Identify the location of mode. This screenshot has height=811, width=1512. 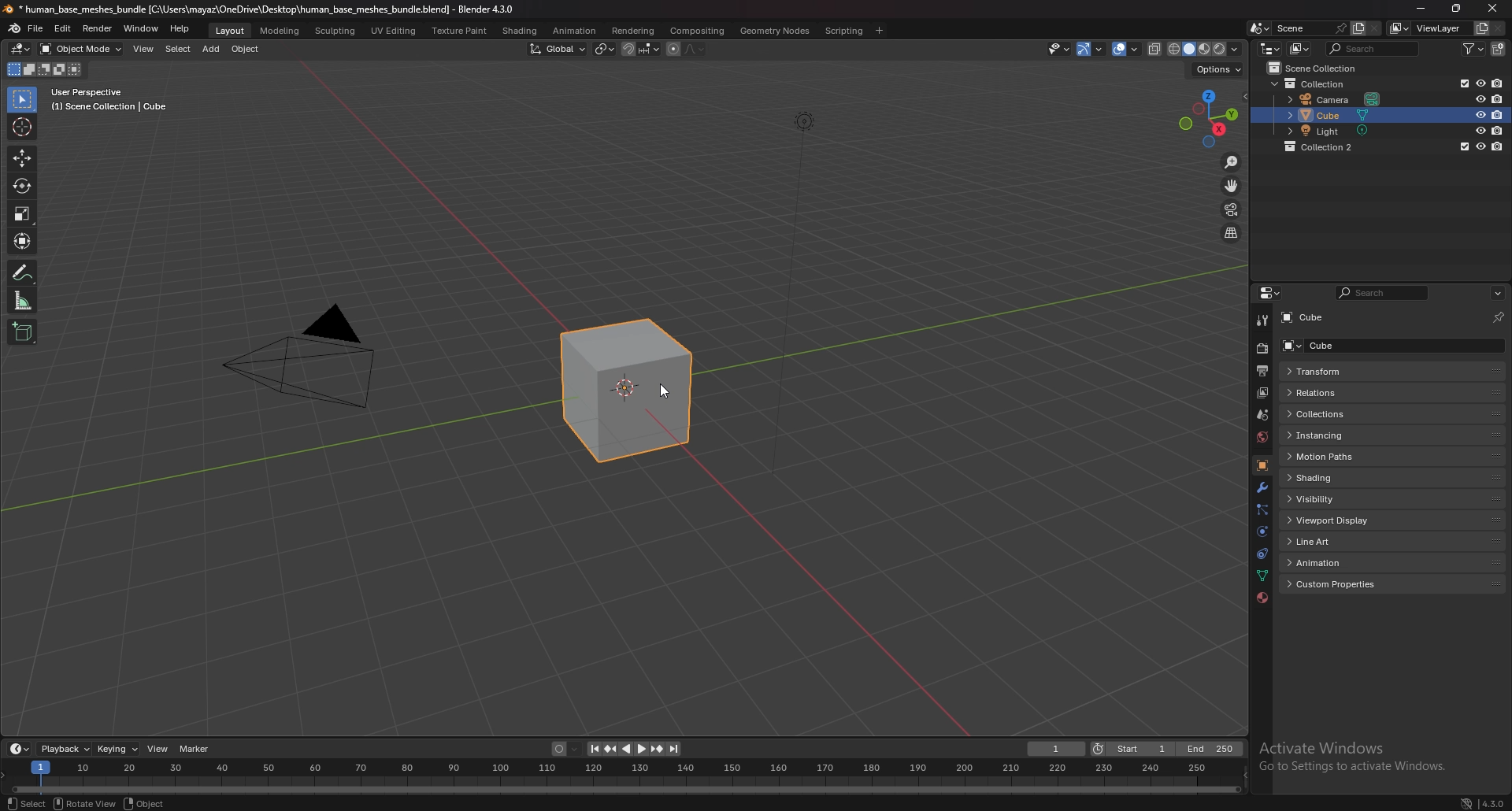
(45, 71).